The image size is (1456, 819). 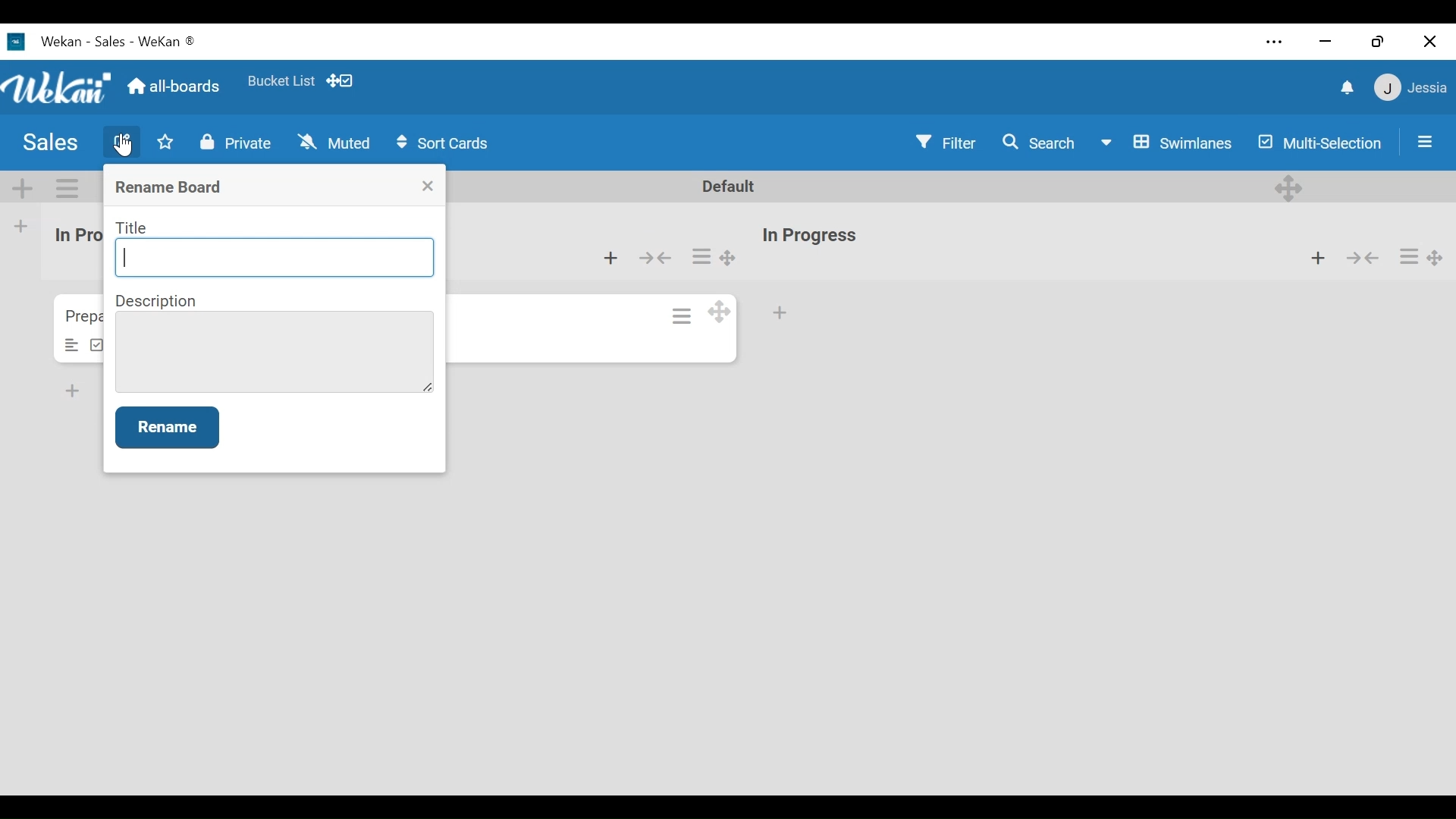 I want to click on Title, so click(x=133, y=227).